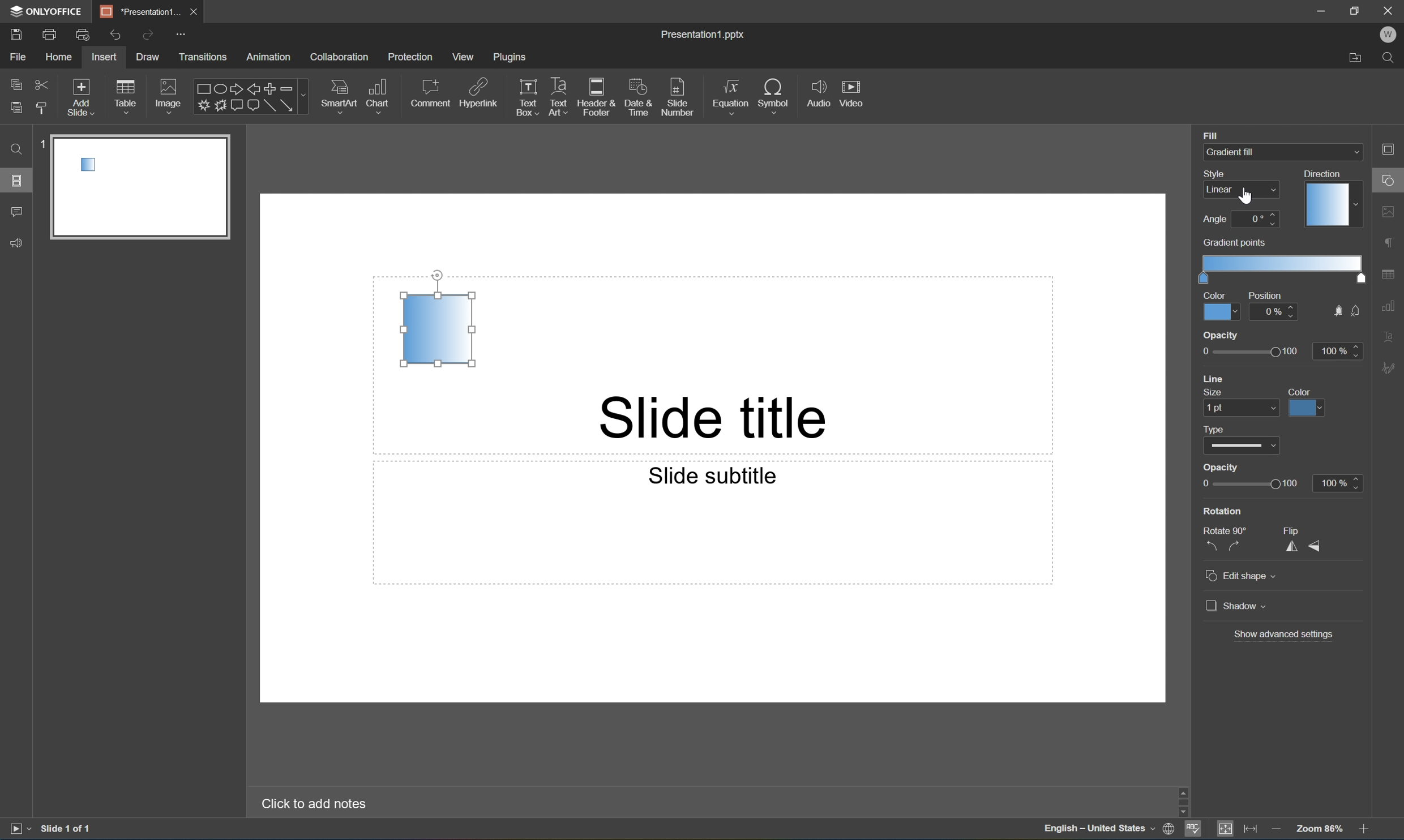  Describe the element at coordinates (731, 93) in the screenshot. I see `Equation` at that location.